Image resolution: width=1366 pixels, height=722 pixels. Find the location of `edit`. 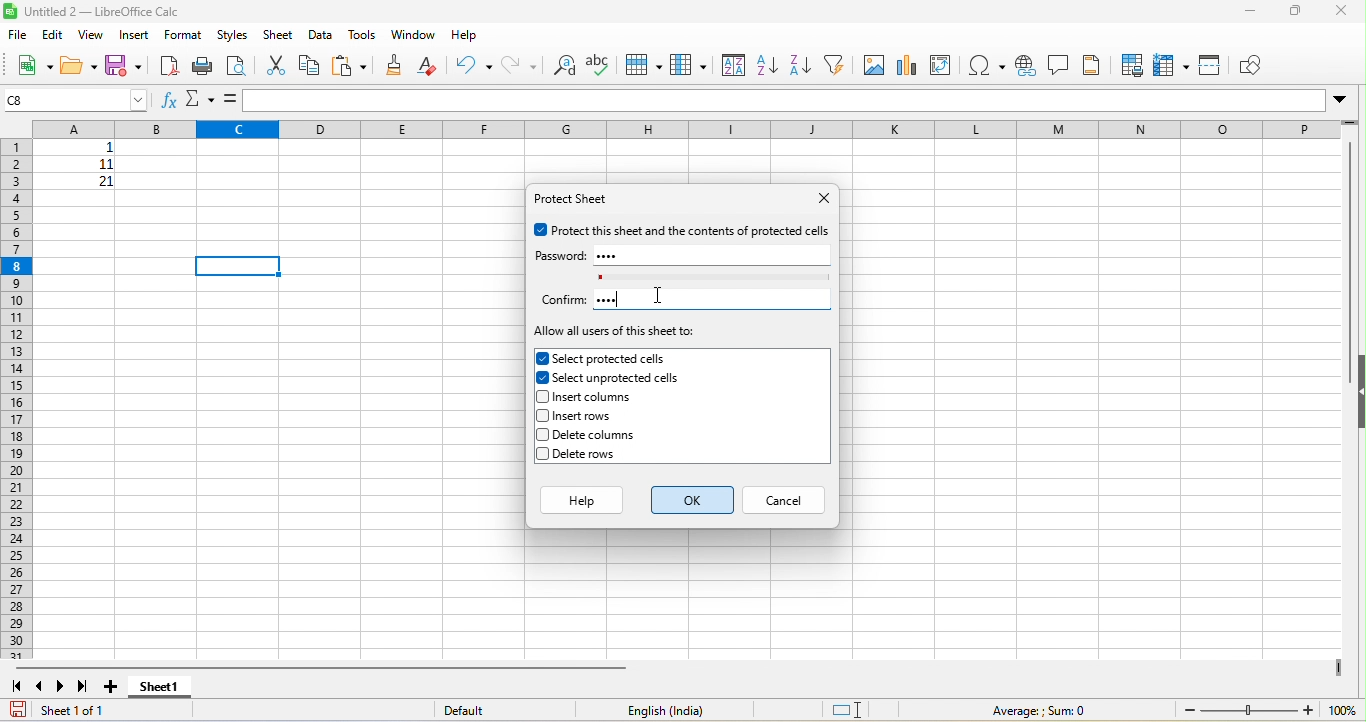

edit is located at coordinates (51, 35).